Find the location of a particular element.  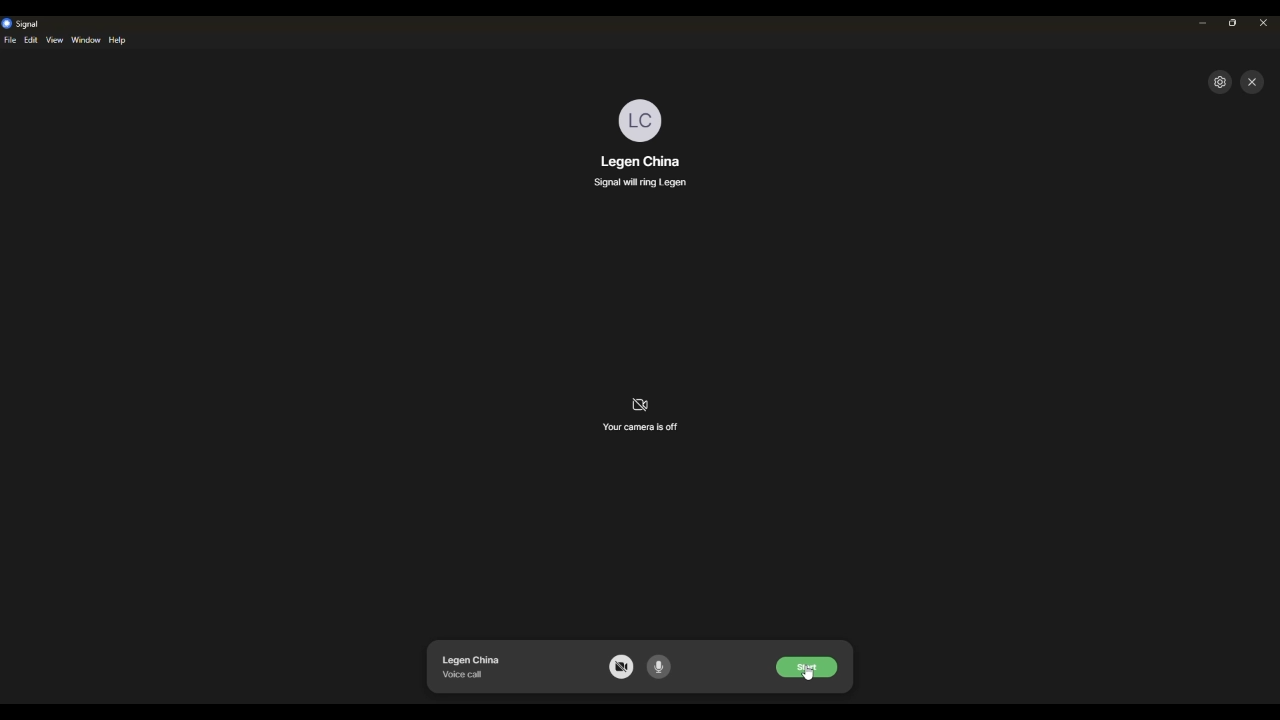

edit is located at coordinates (33, 42).